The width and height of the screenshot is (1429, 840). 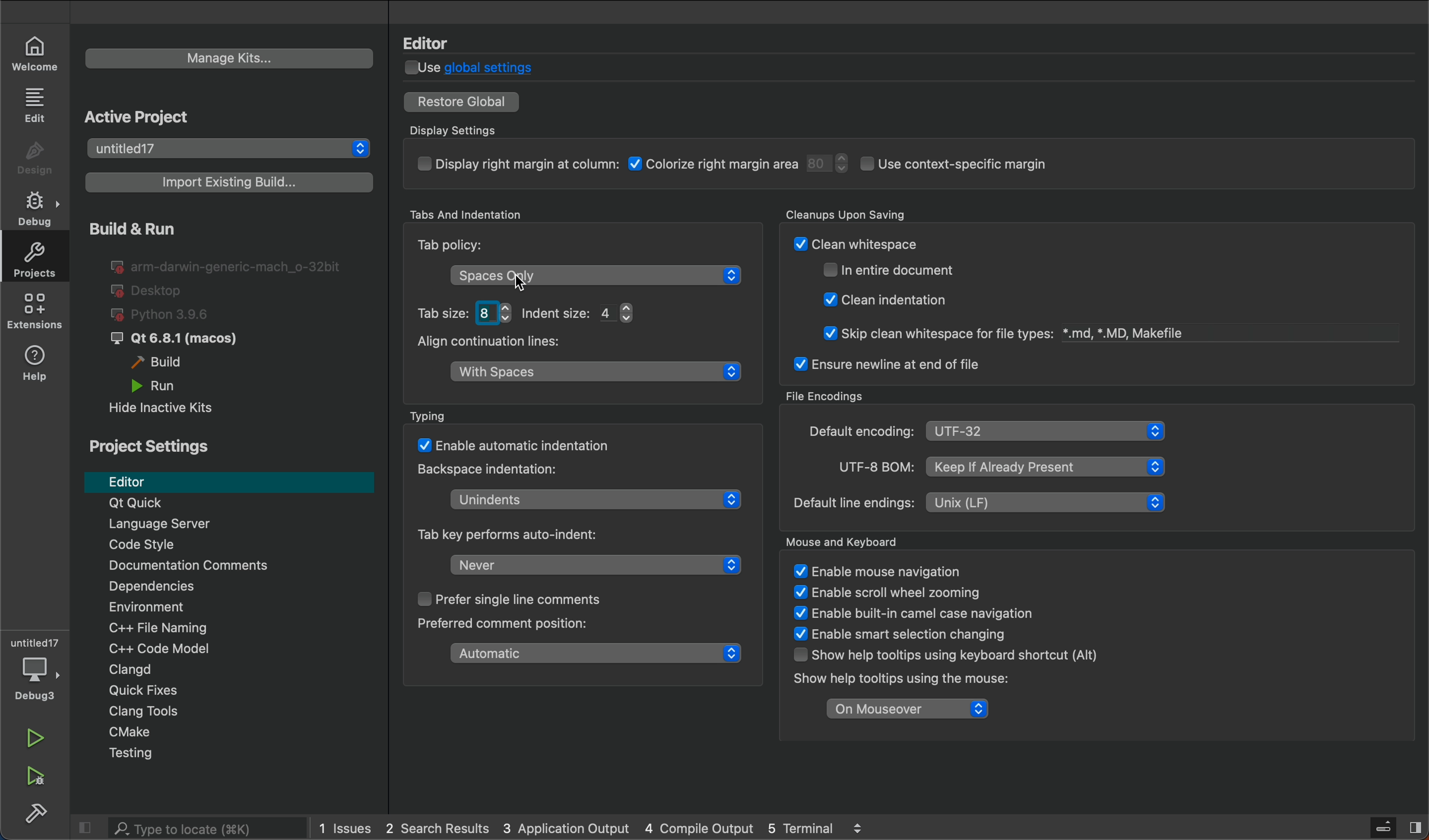 What do you see at coordinates (781, 169) in the screenshot?
I see `display settings` at bounding box center [781, 169].